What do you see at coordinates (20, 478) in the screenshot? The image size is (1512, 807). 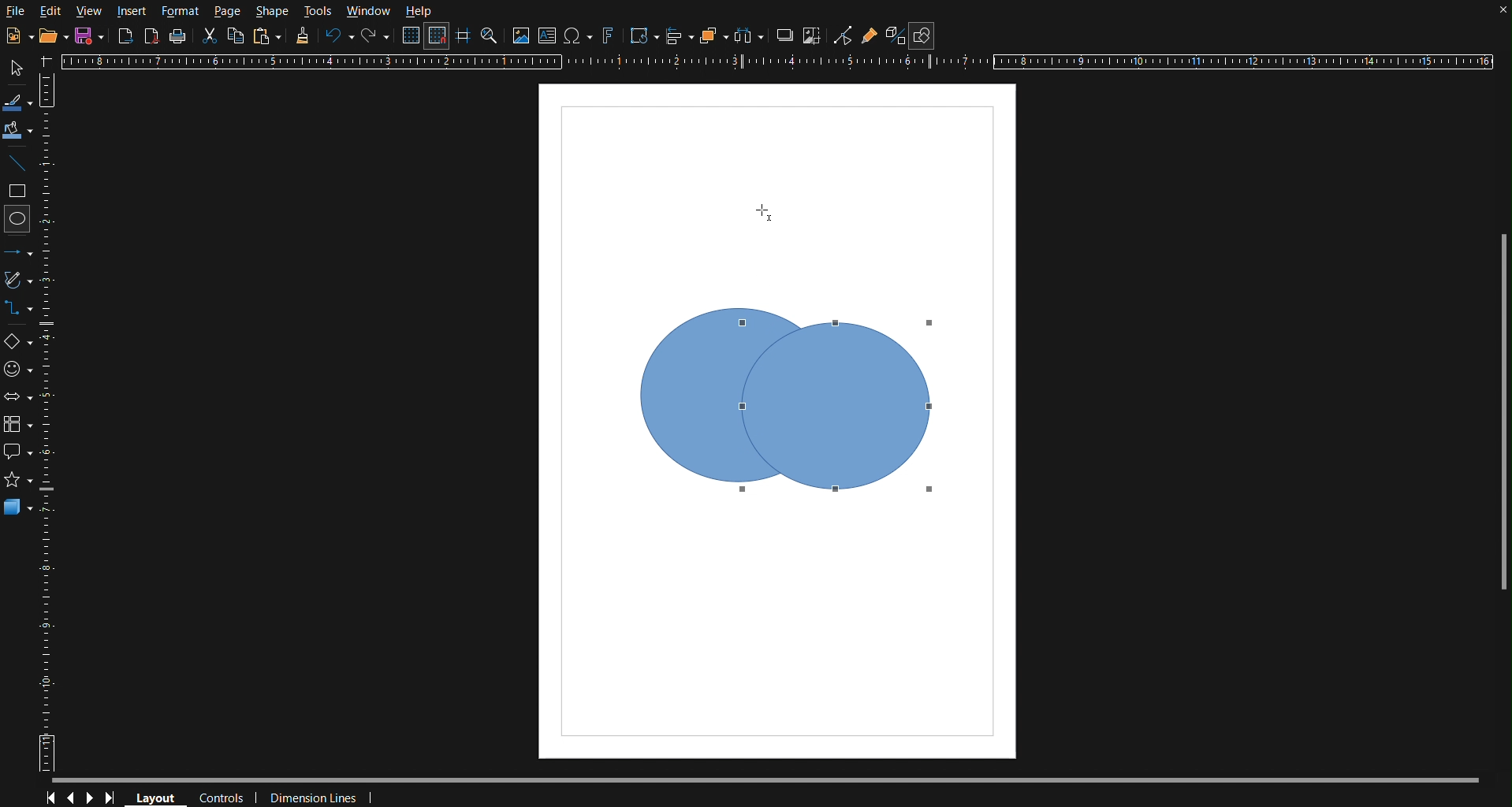 I see `star shape` at bounding box center [20, 478].